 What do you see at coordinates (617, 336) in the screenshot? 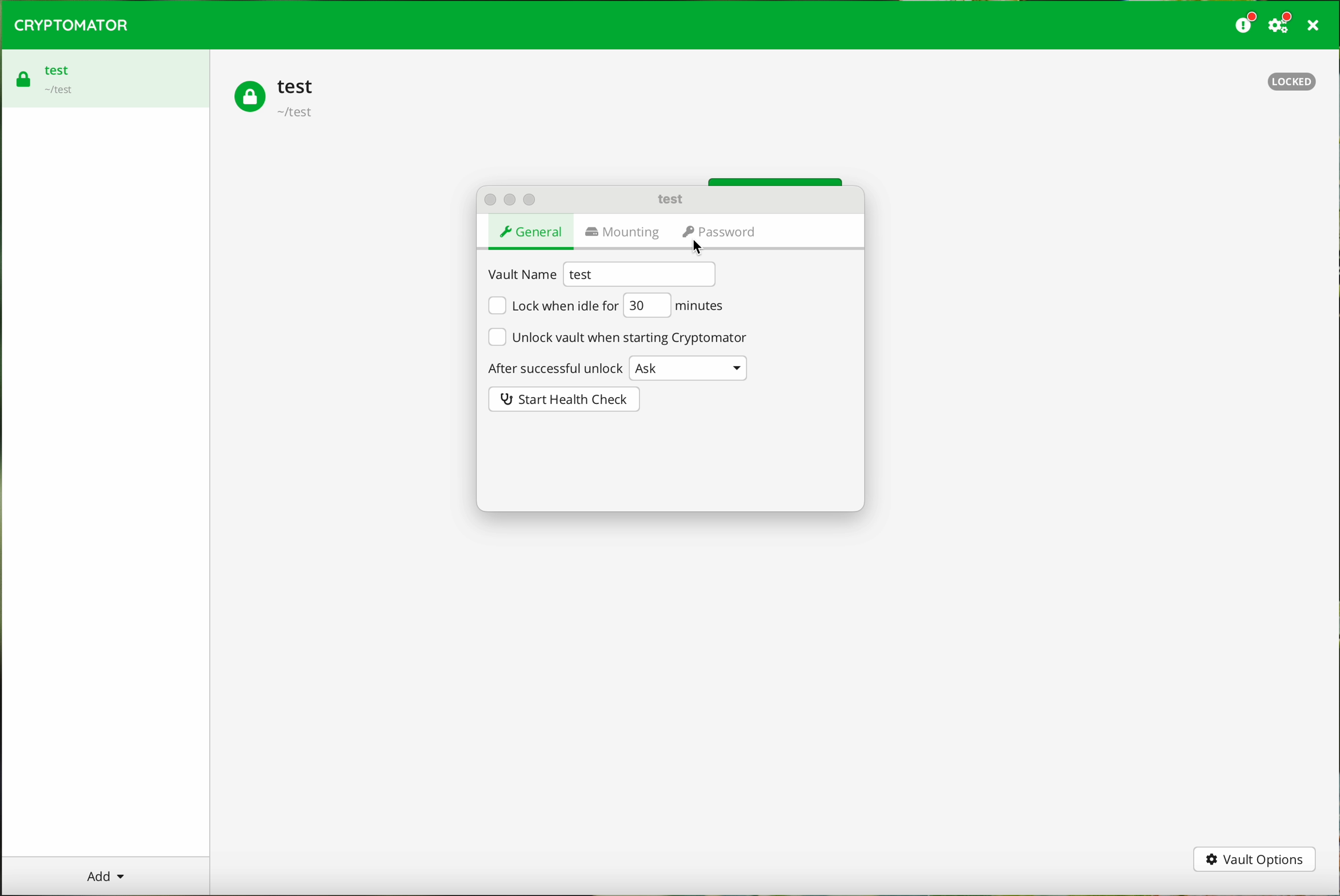
I see `unlock vault when starting cryptomator` at bounding box center [617, 336].